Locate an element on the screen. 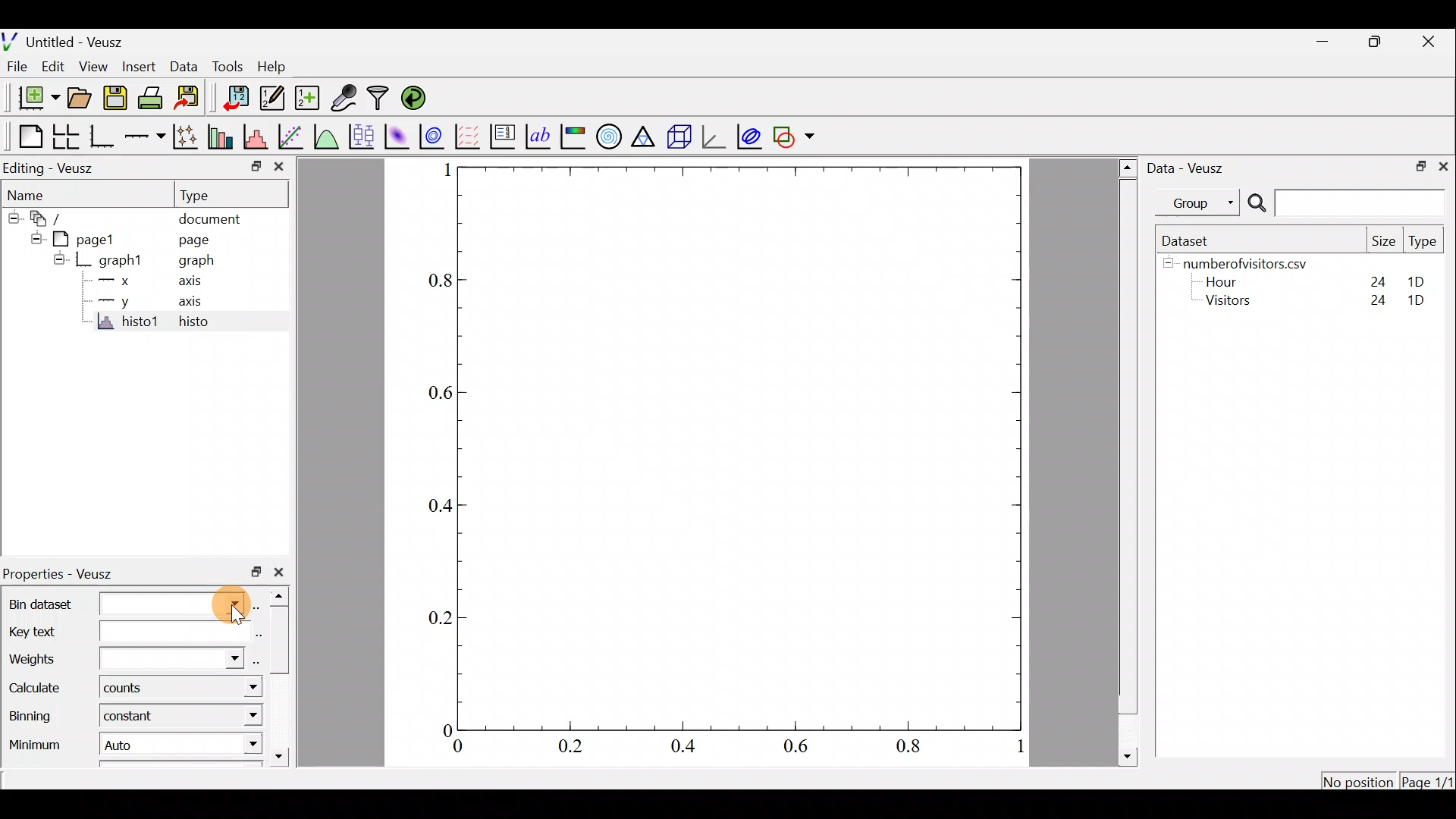 This screenshot has height=819, width=1456. document widget is located at coordinates (49, 218).